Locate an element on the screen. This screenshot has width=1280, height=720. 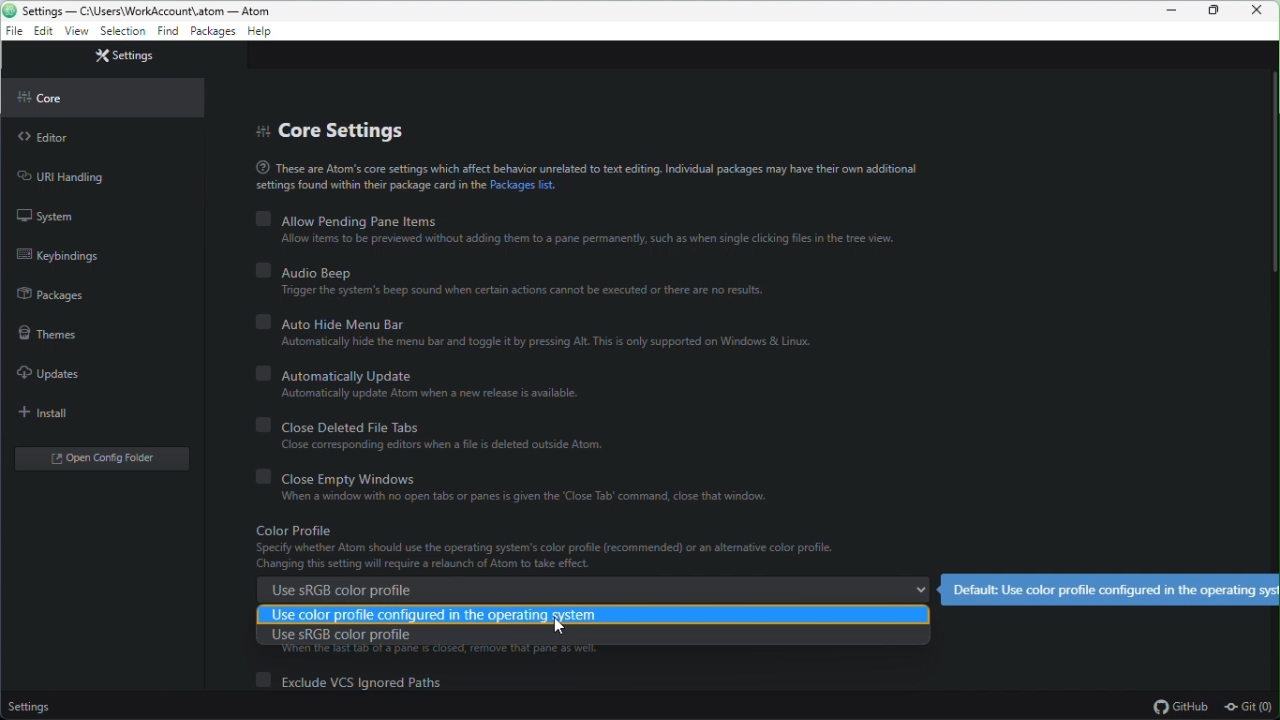
view is located at coordinates (76, 32).